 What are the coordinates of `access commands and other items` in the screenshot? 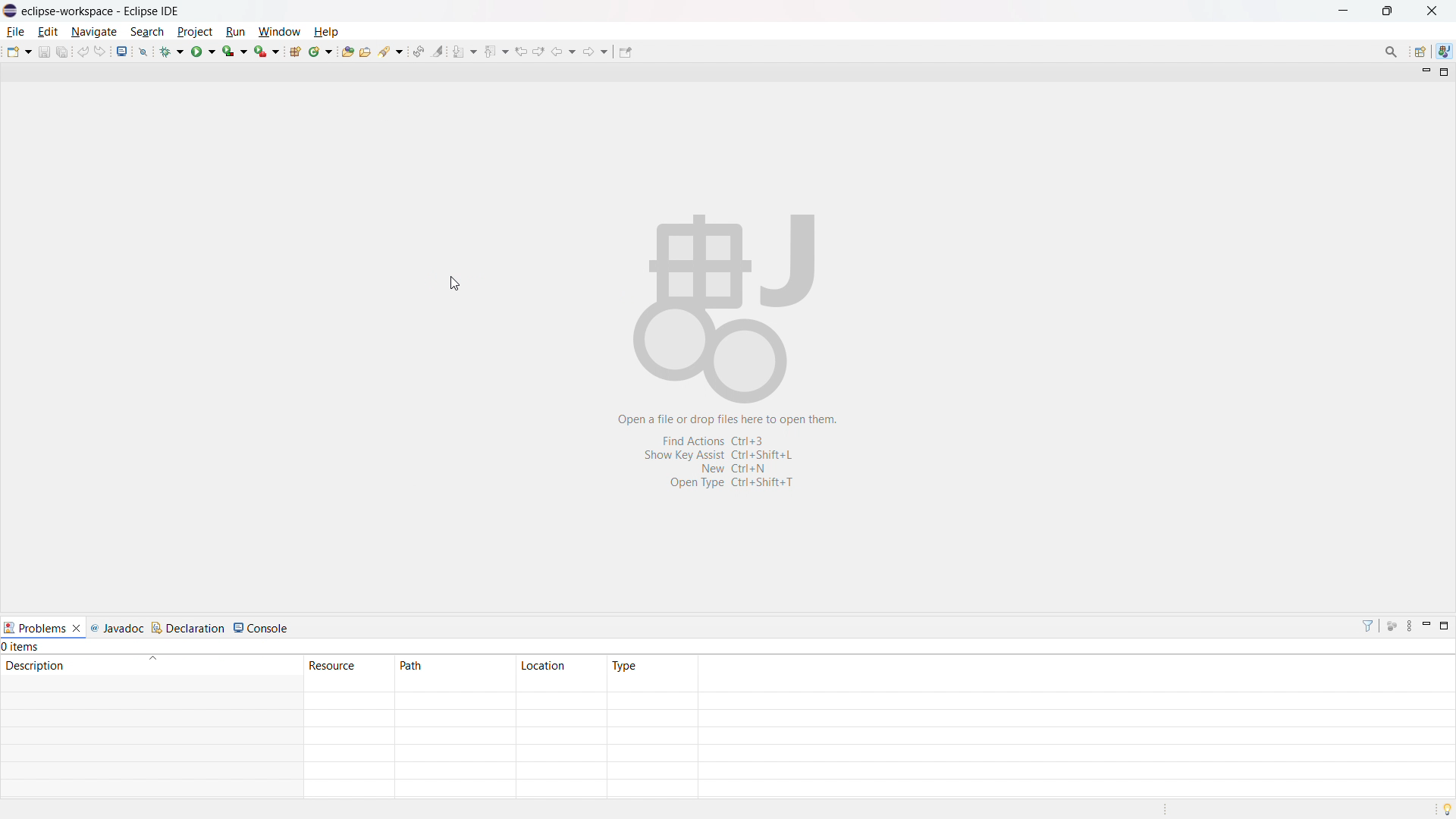 It's located at (1390, 52).